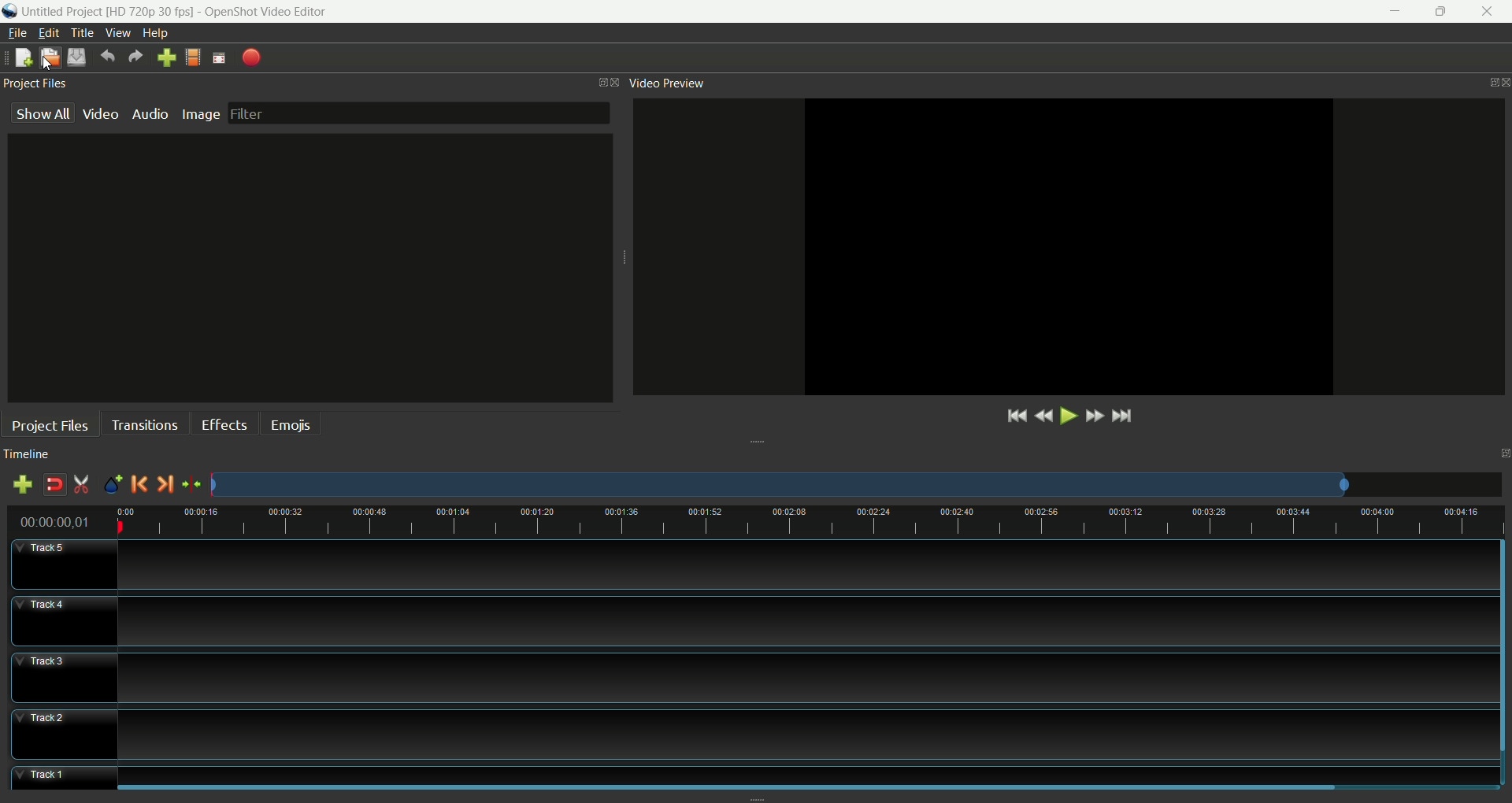 This screenshot has height=803, width=1512. Describe the element at coordinates (135, 57) in the screenshot. I see `redo` at that location.